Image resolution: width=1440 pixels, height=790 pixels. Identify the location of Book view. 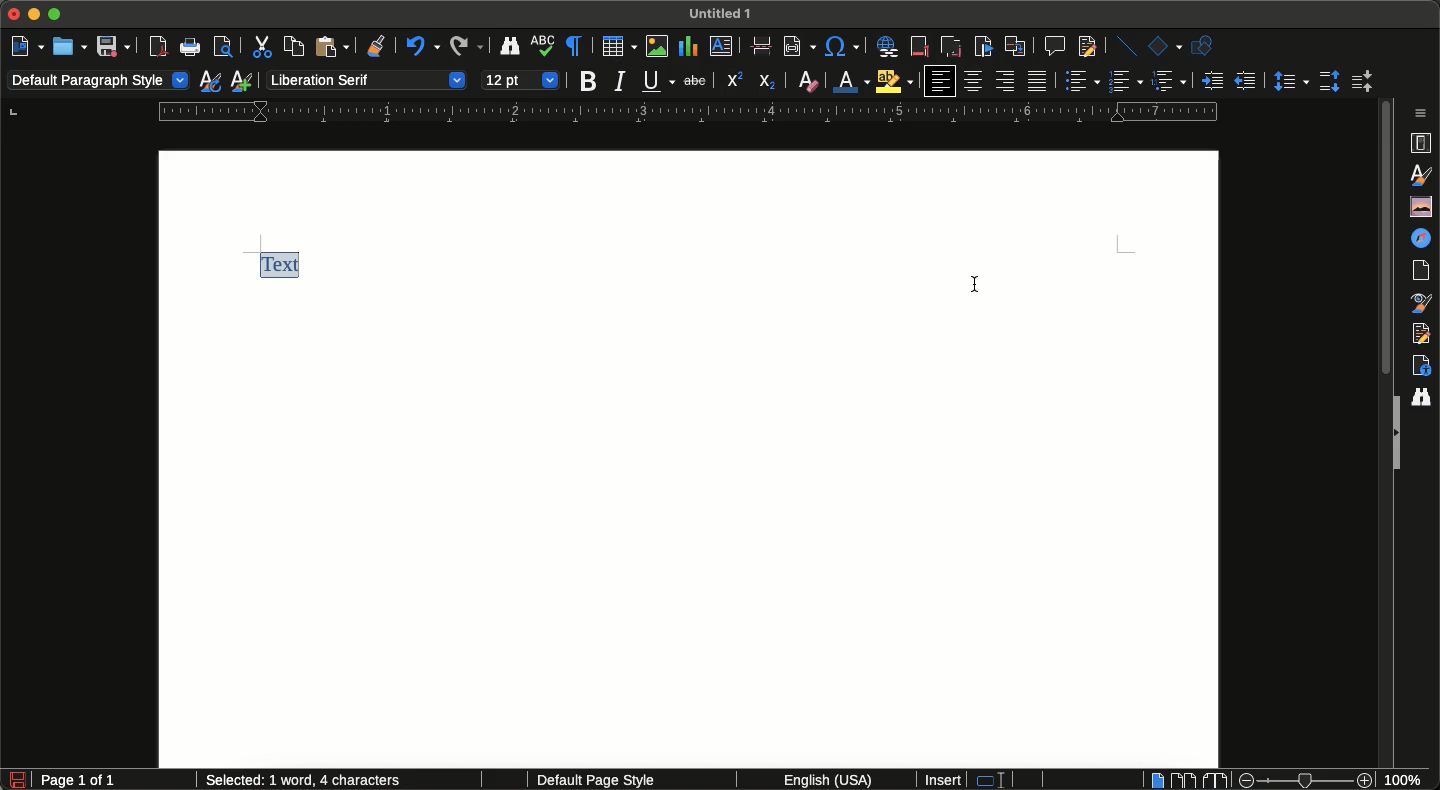
(1212, 780).